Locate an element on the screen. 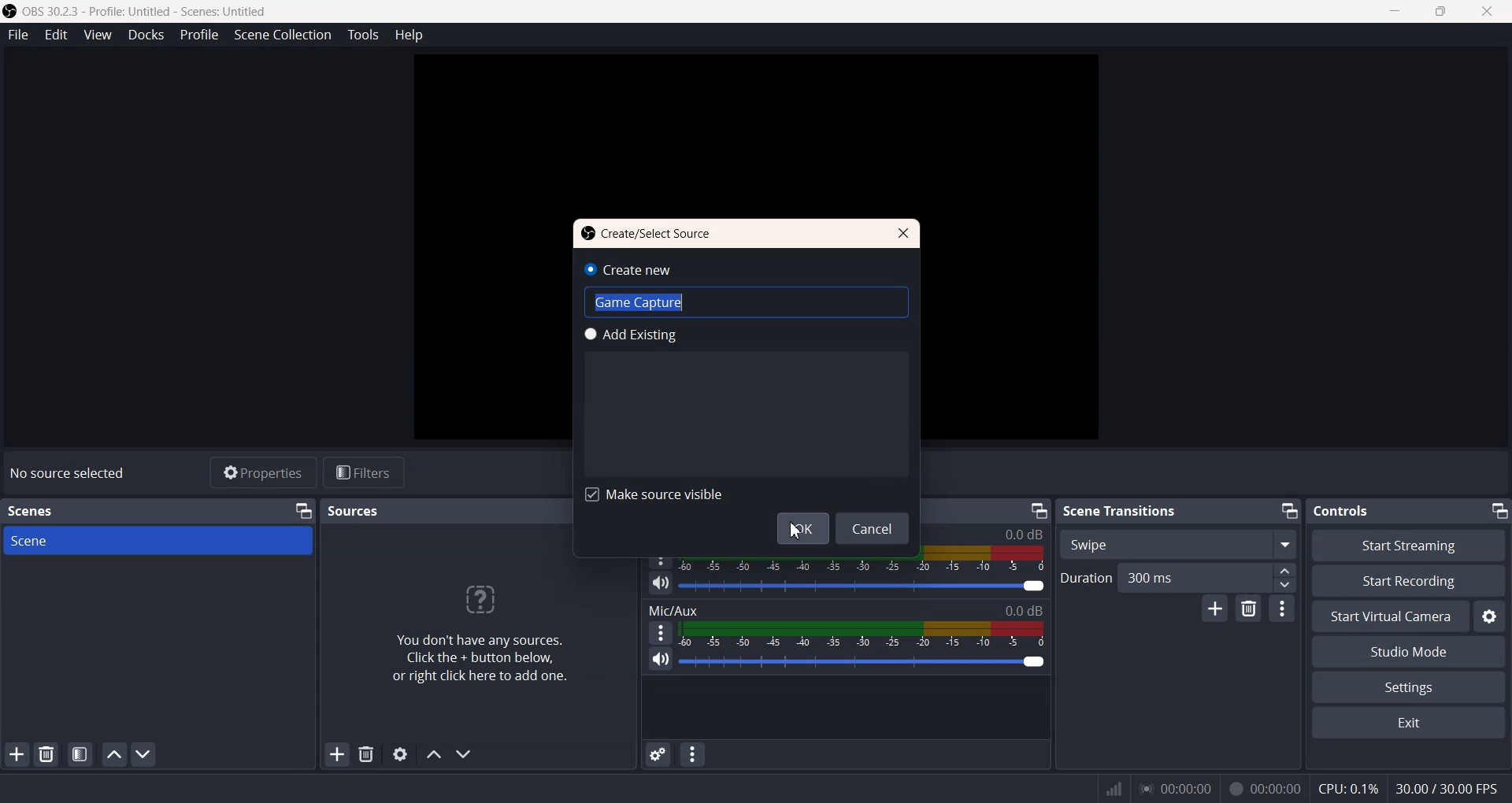 The image size is (1512, 803). Profile is located at coordinates (199, 35).